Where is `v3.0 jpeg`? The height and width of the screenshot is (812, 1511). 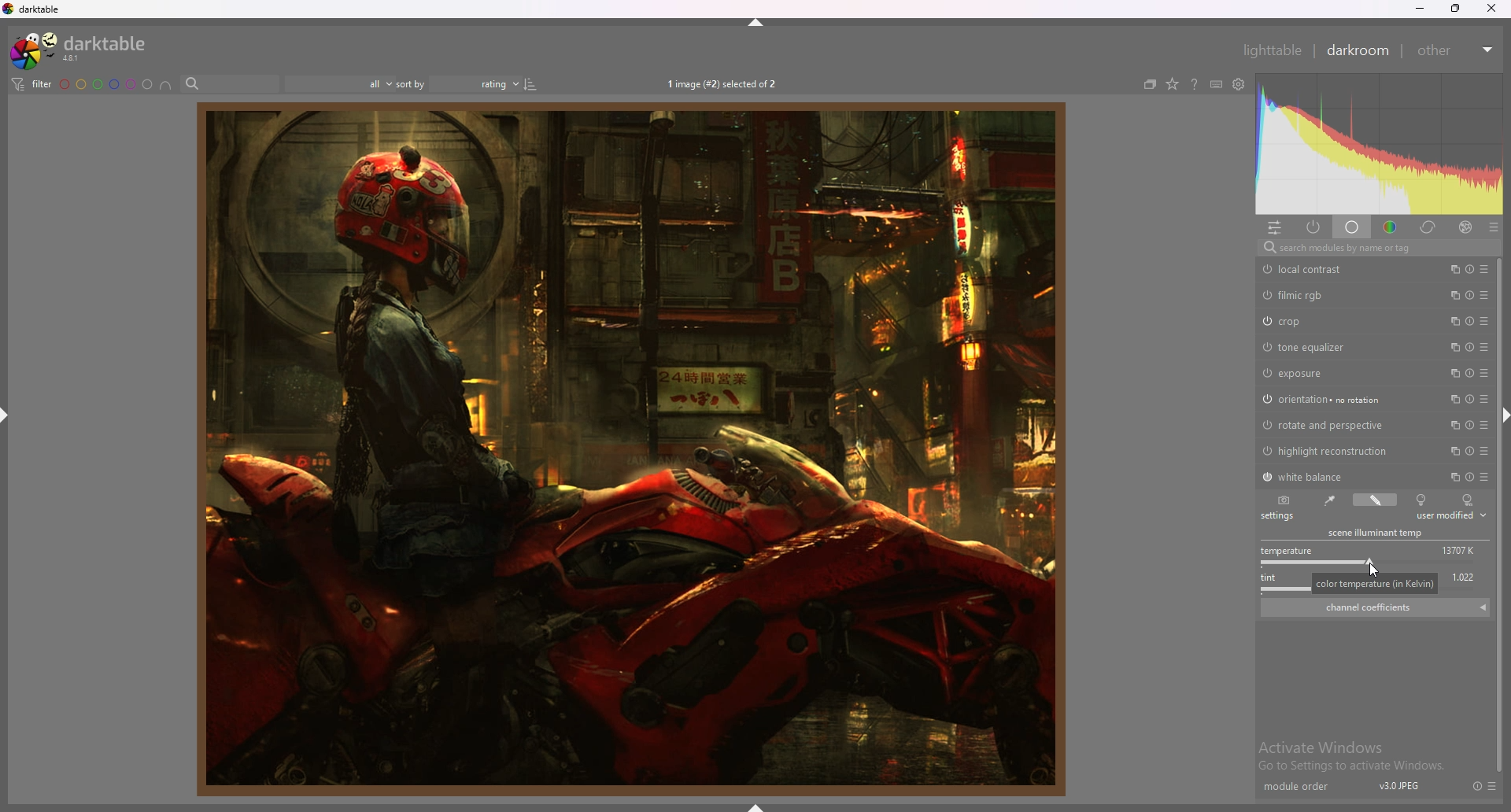
v3.0 jpeg is located at coordinates (1400, 786).